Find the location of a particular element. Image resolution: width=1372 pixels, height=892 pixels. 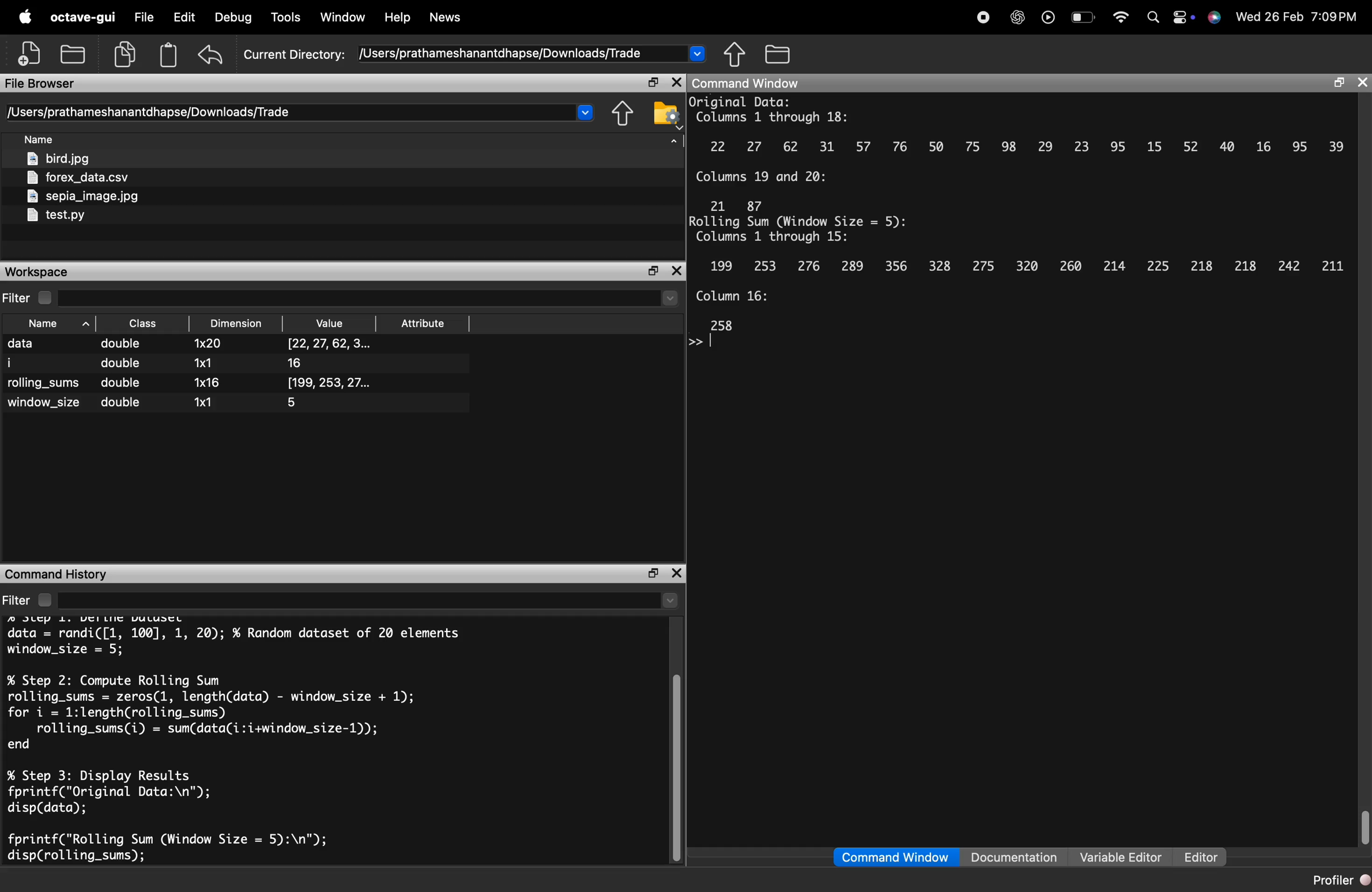

cursor is located at coordinates (713, 339).